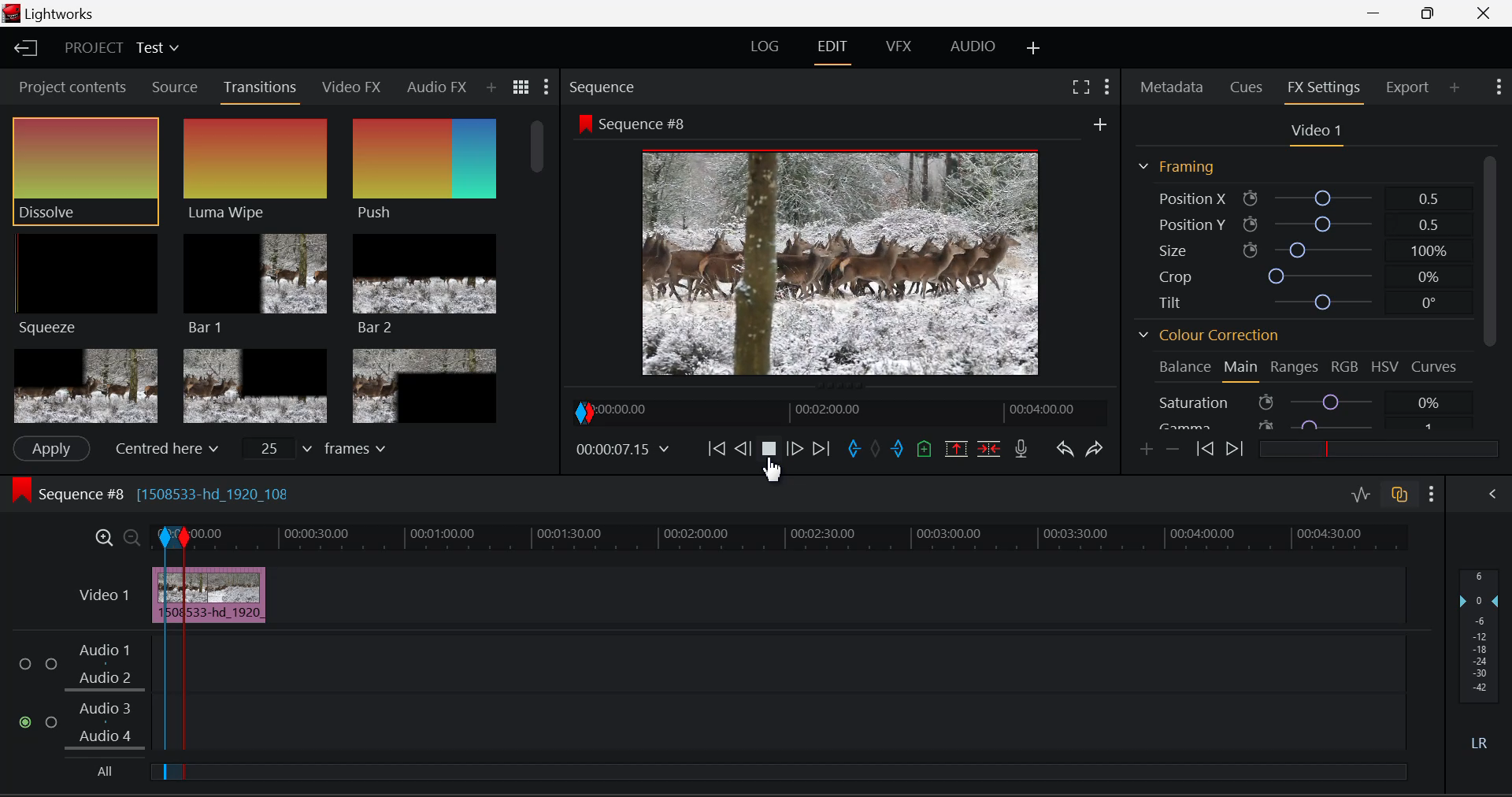 The height and width of the screenshot is (797, 1512). I want to click on EDIT Layout Open, so click(832, 50).